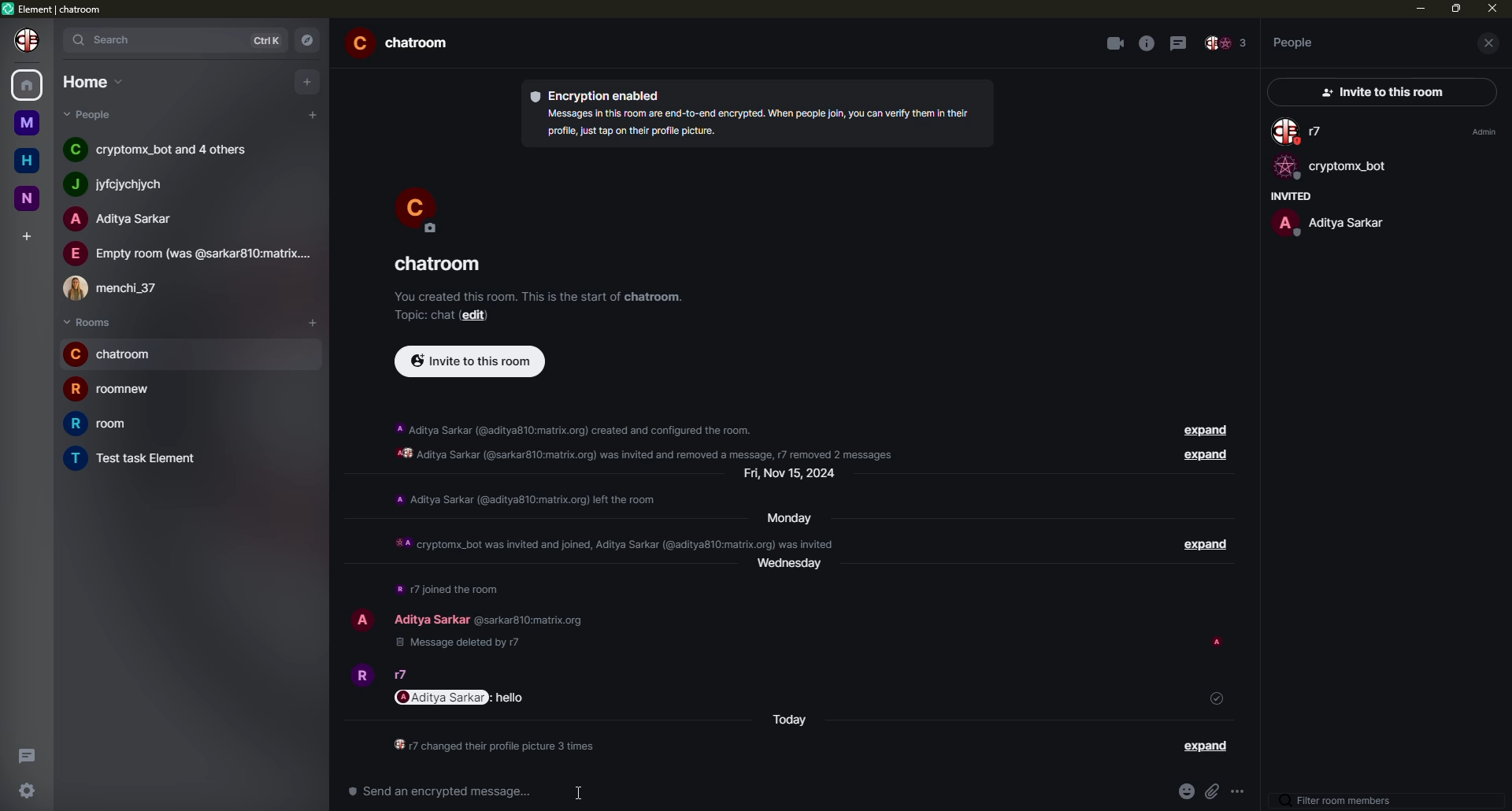 This screenshot has height=811, width=1512. Describe the element at coordinates (1340, 802) in the screenshot. I see `filter` at that location.